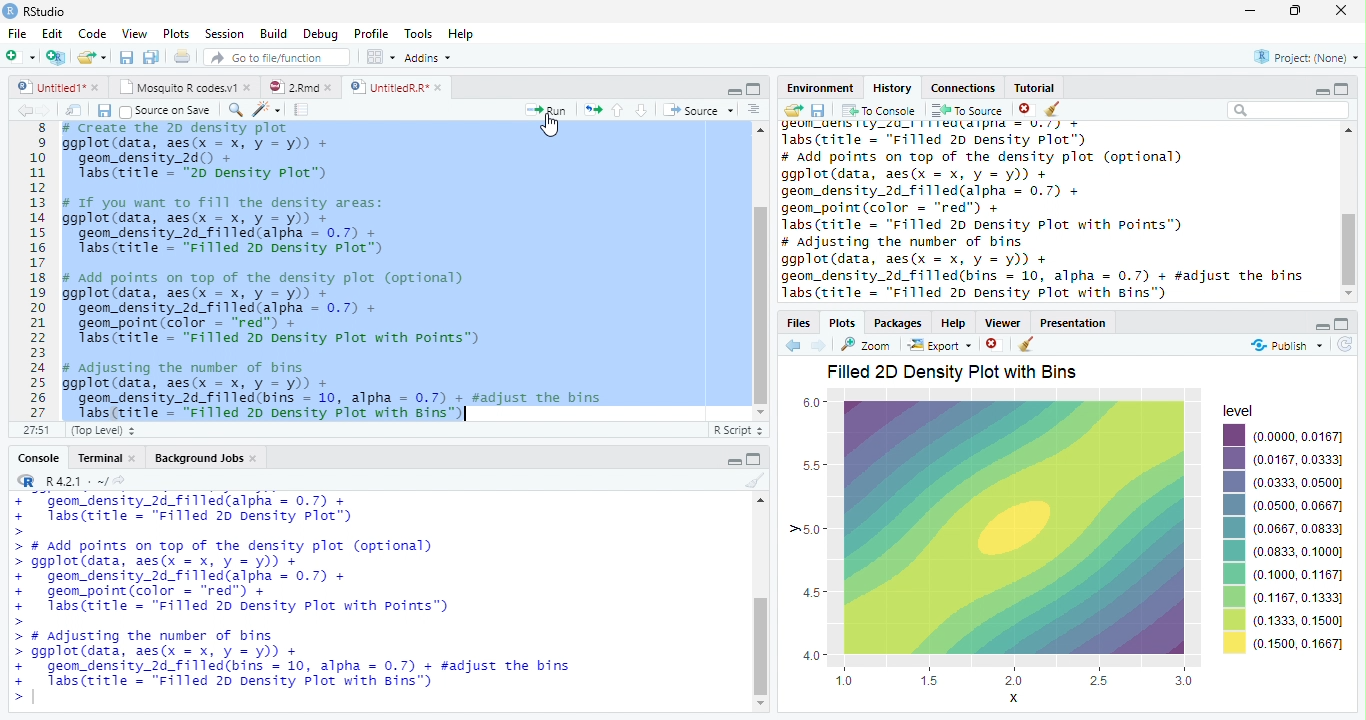 The height and width of the screenshot is (720, 1366). What do you see at coordinates (70, 481) in the screenshot?
I see `R421 - ~/` at bounding box center [70, 481].